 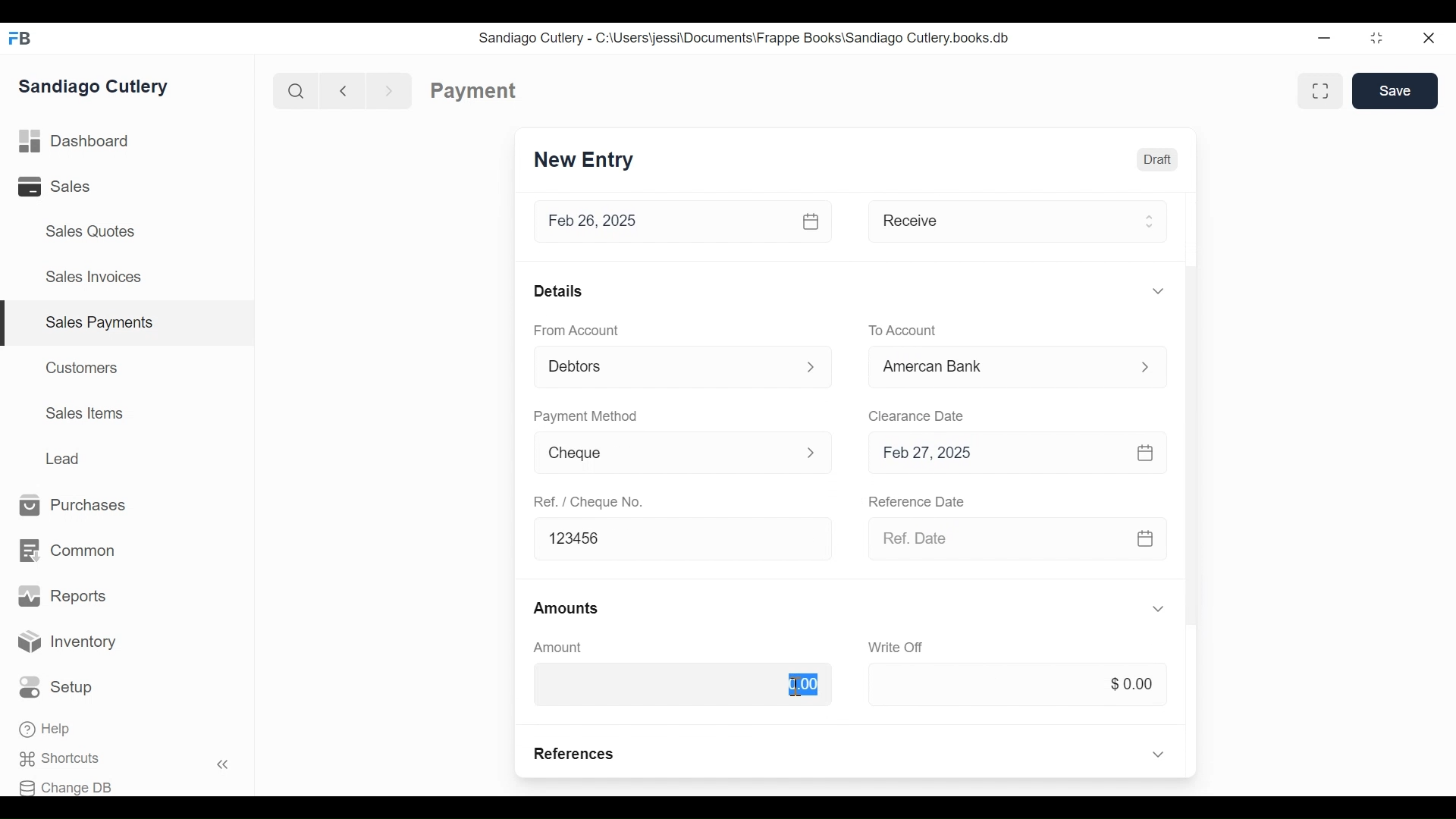 What do you see at coordinates (679, 682) in the screenshot?
I see `$0.00` at bounding box center [679, 682].